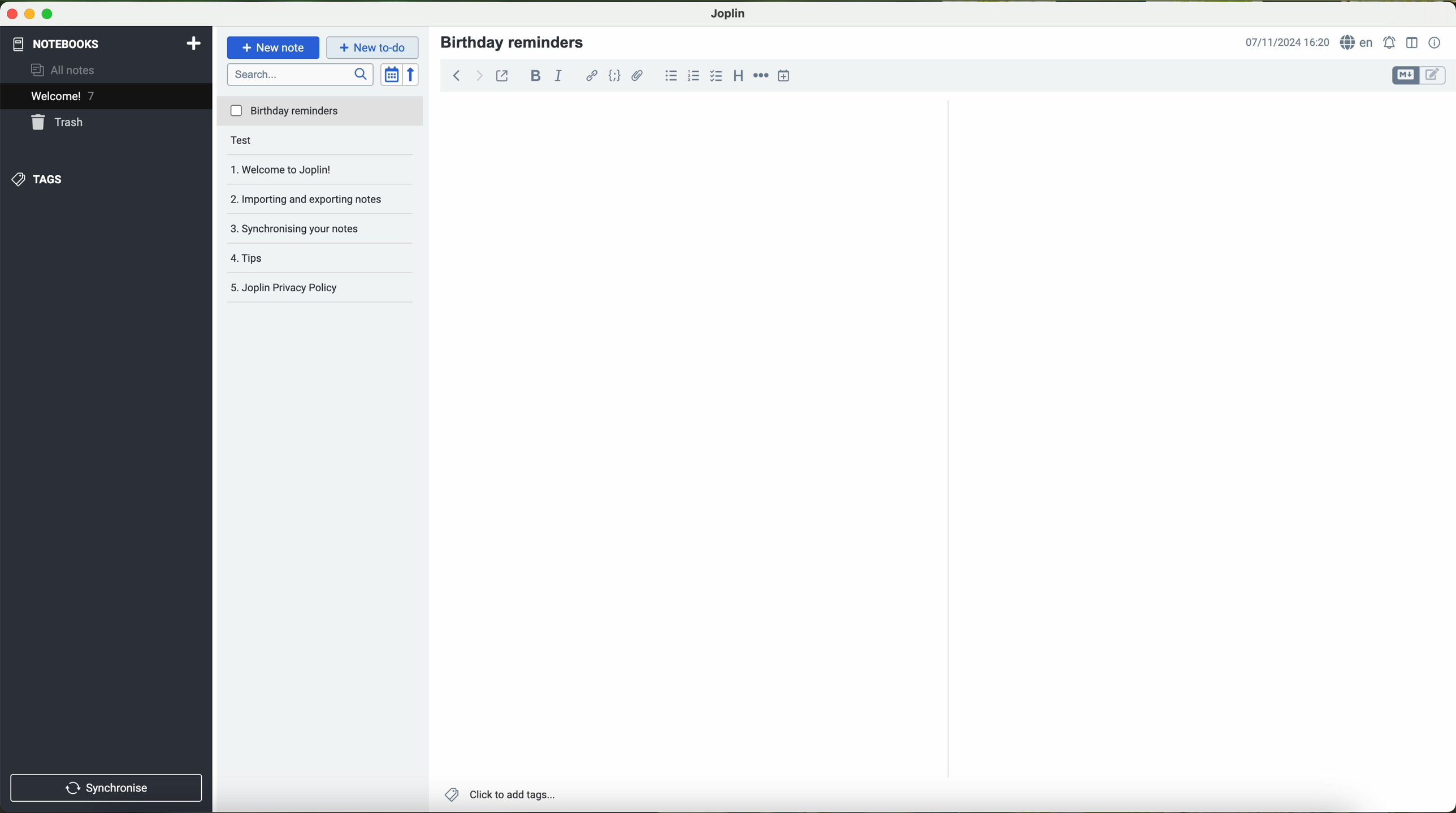 This screenshot has height=813, width=1456. I want to click on numbered list, so click(692, 75).